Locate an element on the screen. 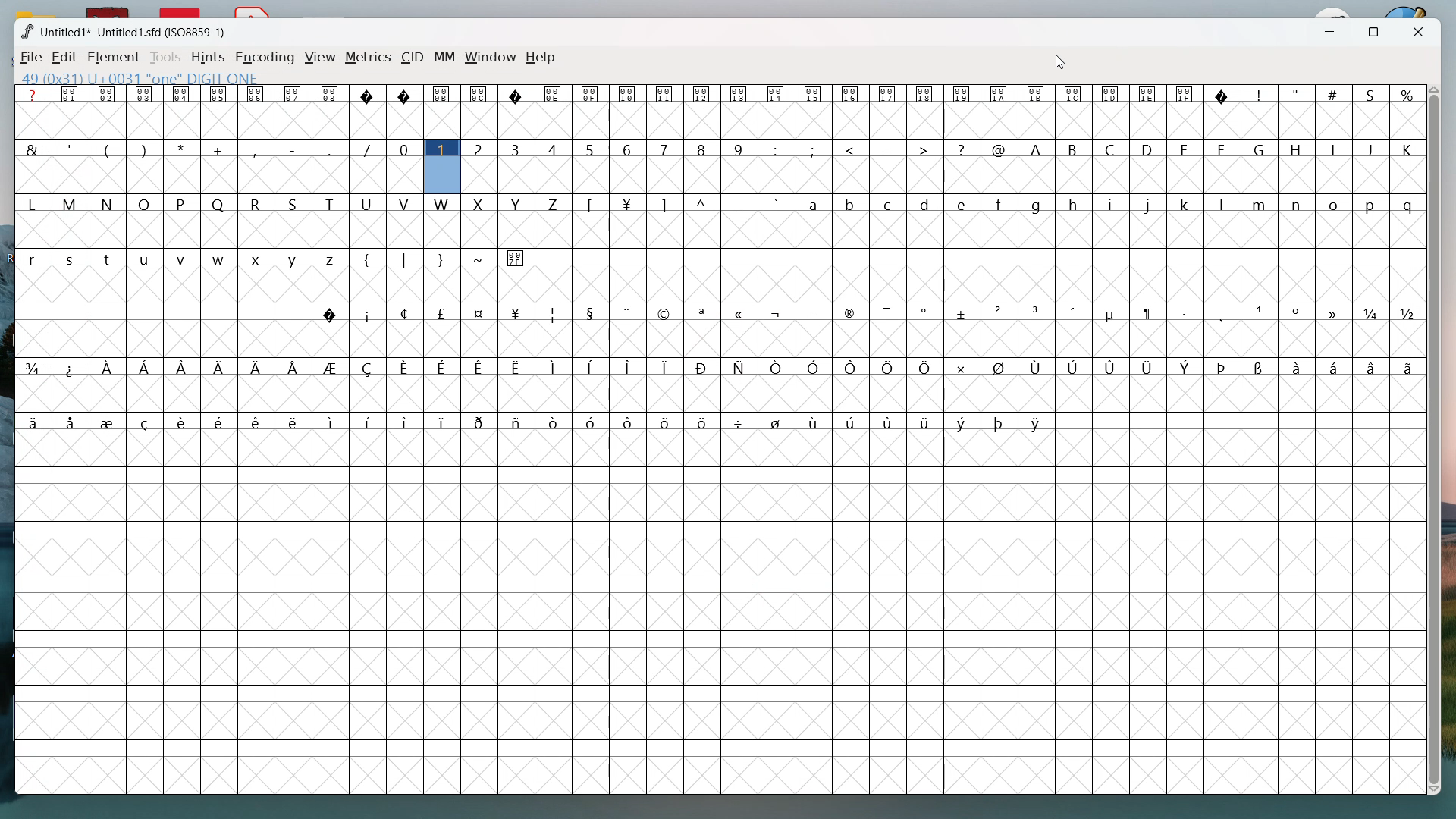 The height and width of the screenshot is (819, 1456). P is located at coordinates (182, 202).